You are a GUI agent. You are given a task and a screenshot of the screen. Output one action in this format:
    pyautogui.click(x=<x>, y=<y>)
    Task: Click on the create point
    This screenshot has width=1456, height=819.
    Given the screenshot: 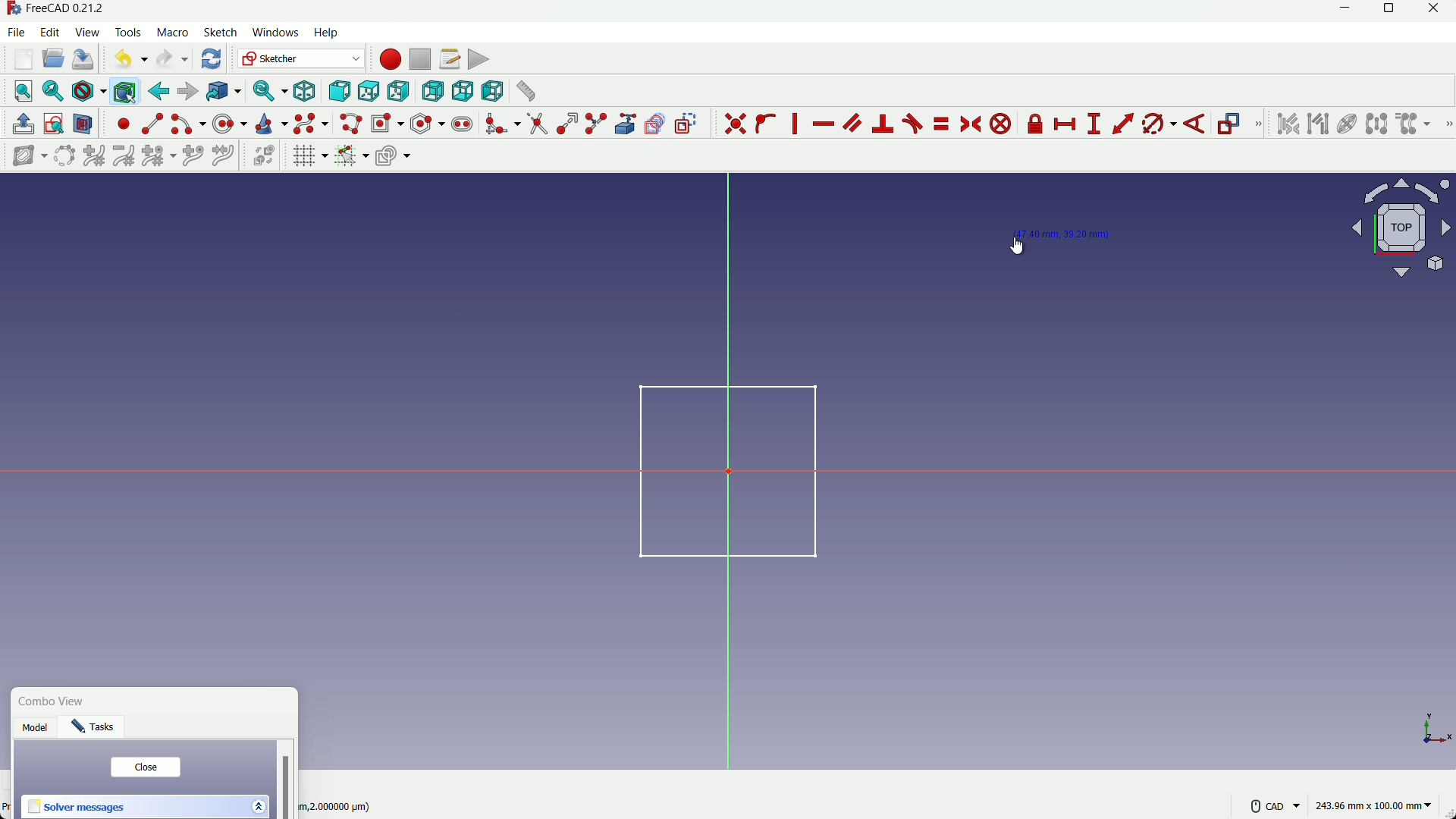 What is the action you would take?
    pyautogui.click(x=124, y=124)
    